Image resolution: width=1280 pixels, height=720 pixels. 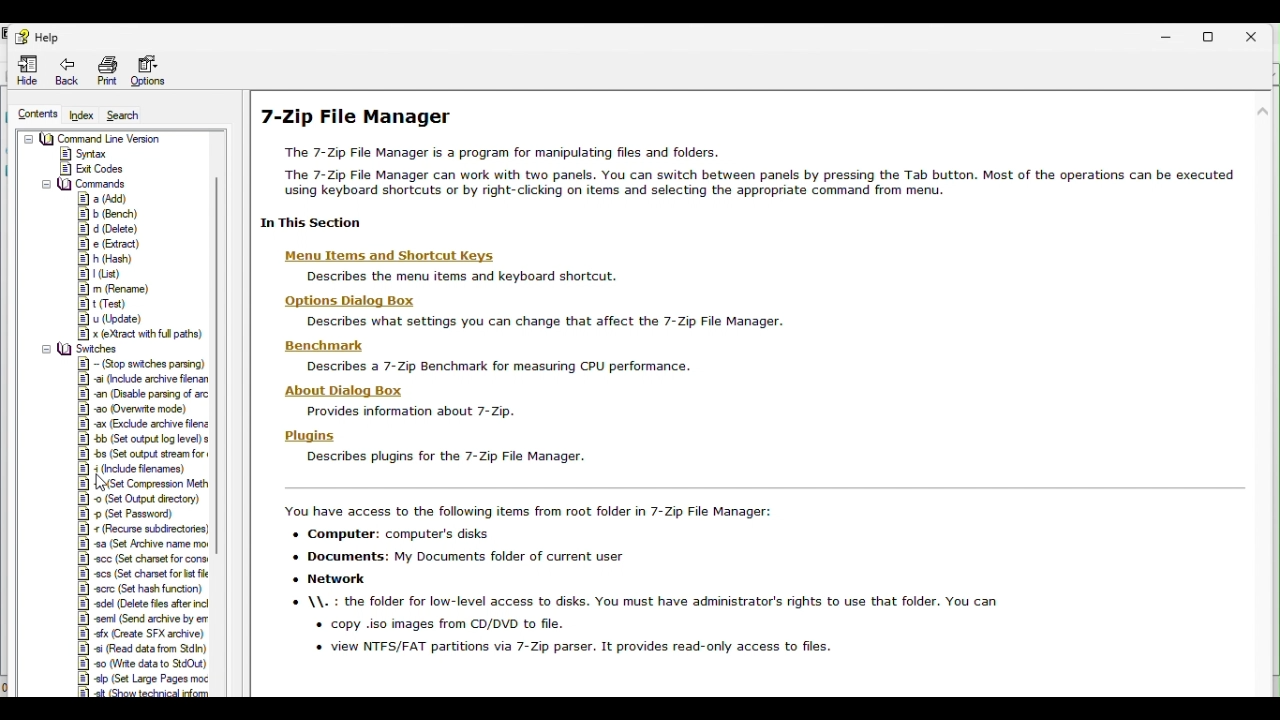 I want to click on Minimise, so click(x=1168, y=37).